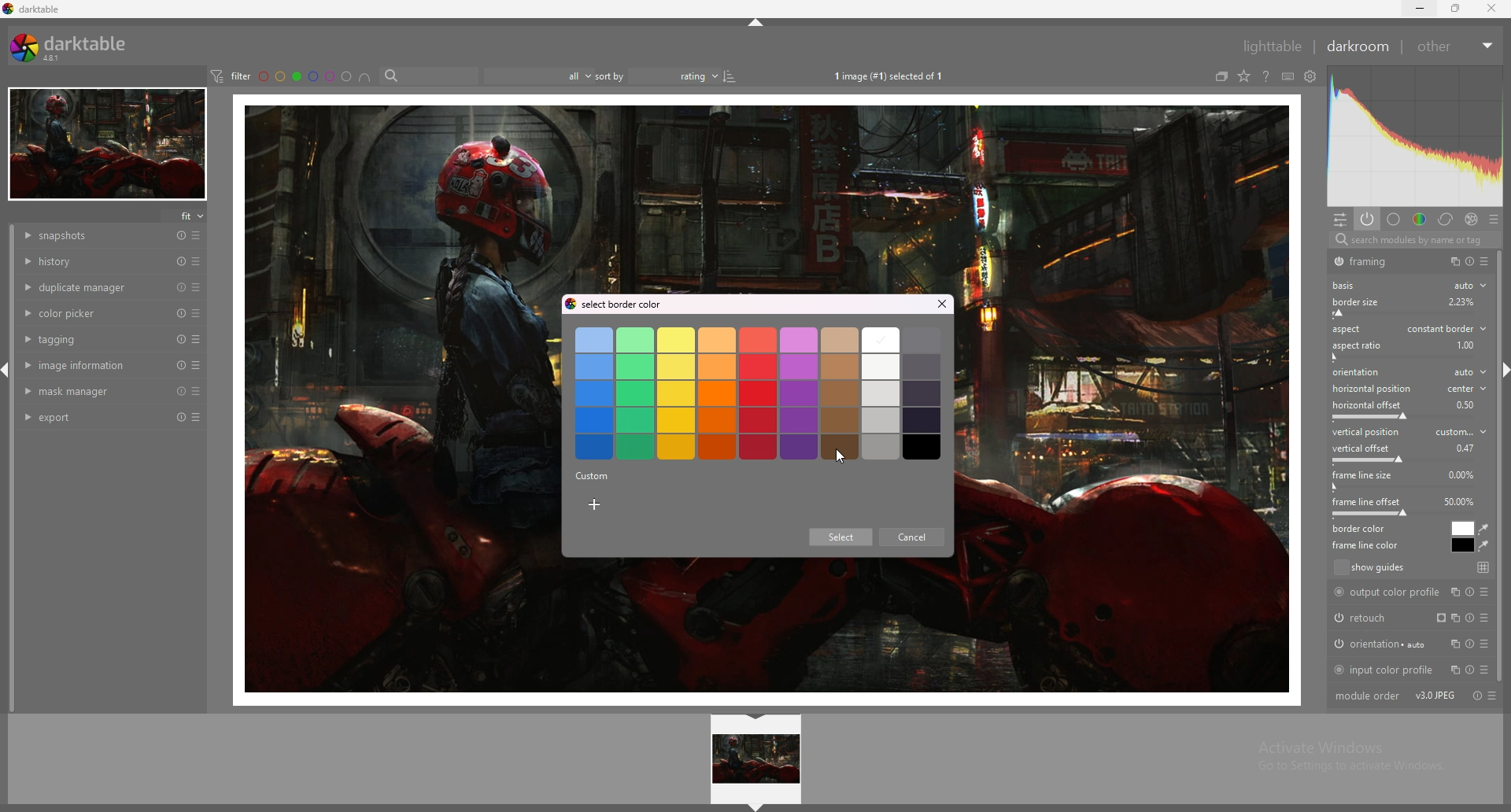  I want to click on module order, so click(1367, 696).